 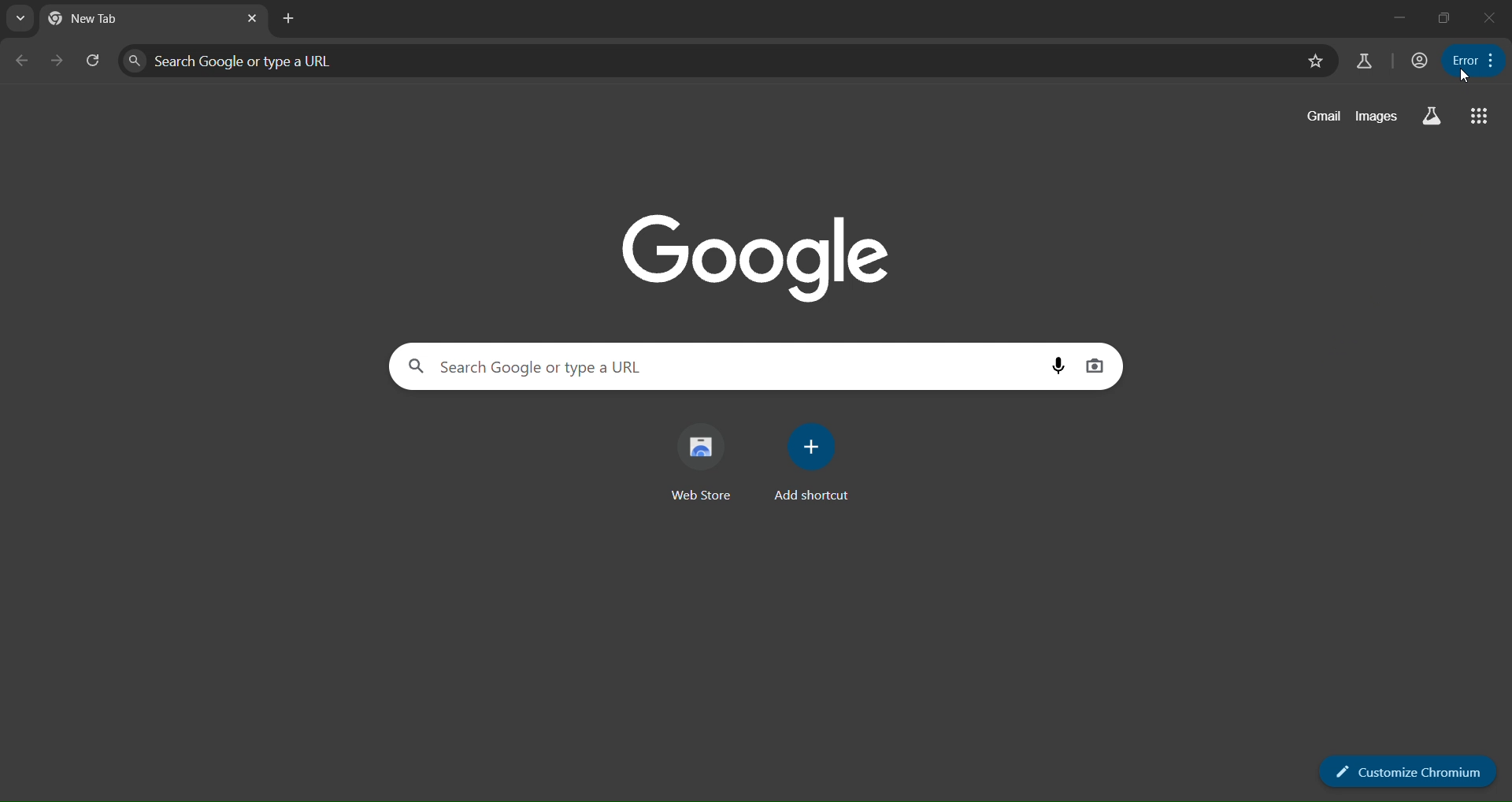 I want to click on bookmark page, so click(x=1317, y=60).